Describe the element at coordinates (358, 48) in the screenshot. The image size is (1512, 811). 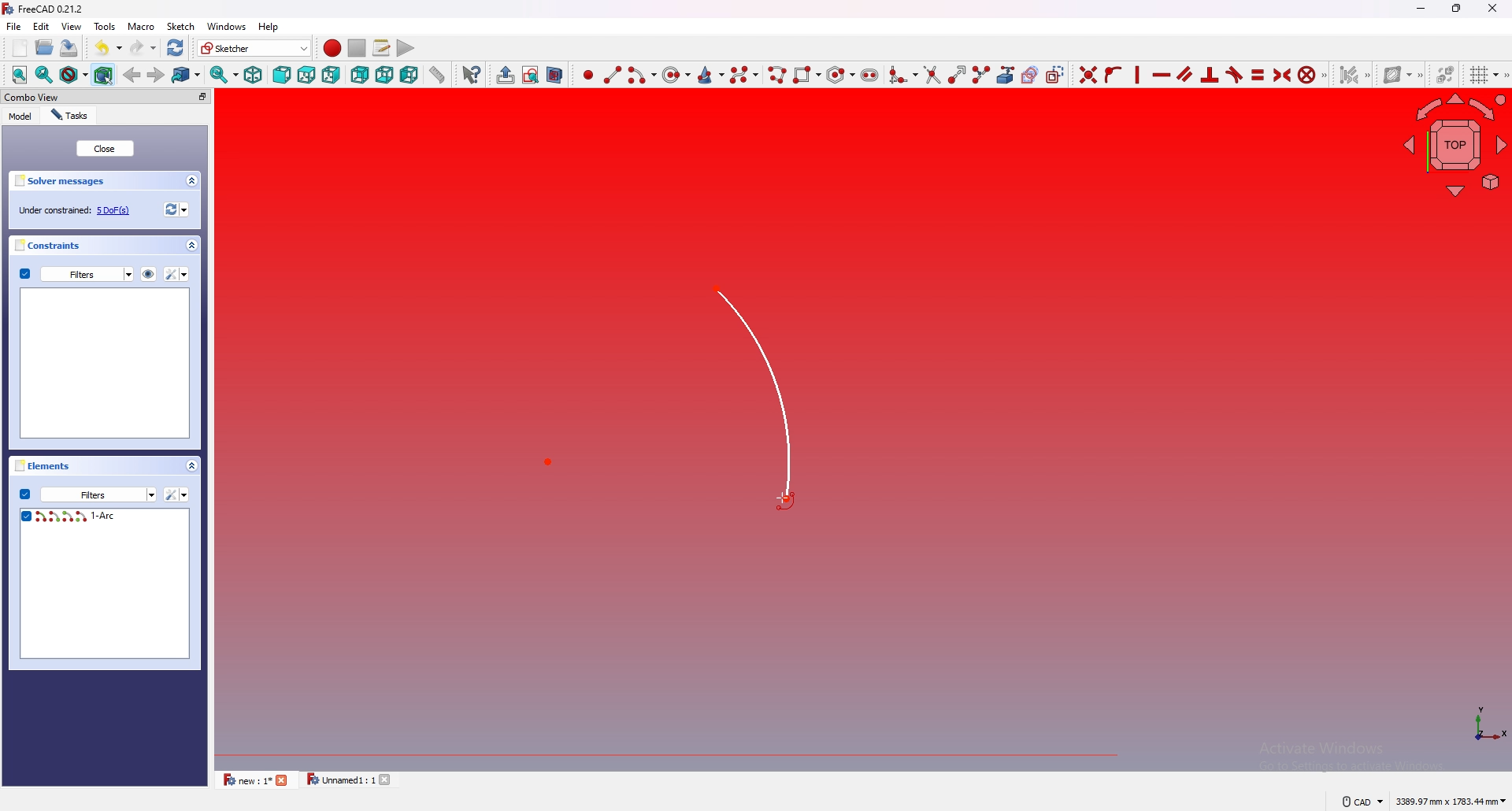
I see `stop macro` at that location.